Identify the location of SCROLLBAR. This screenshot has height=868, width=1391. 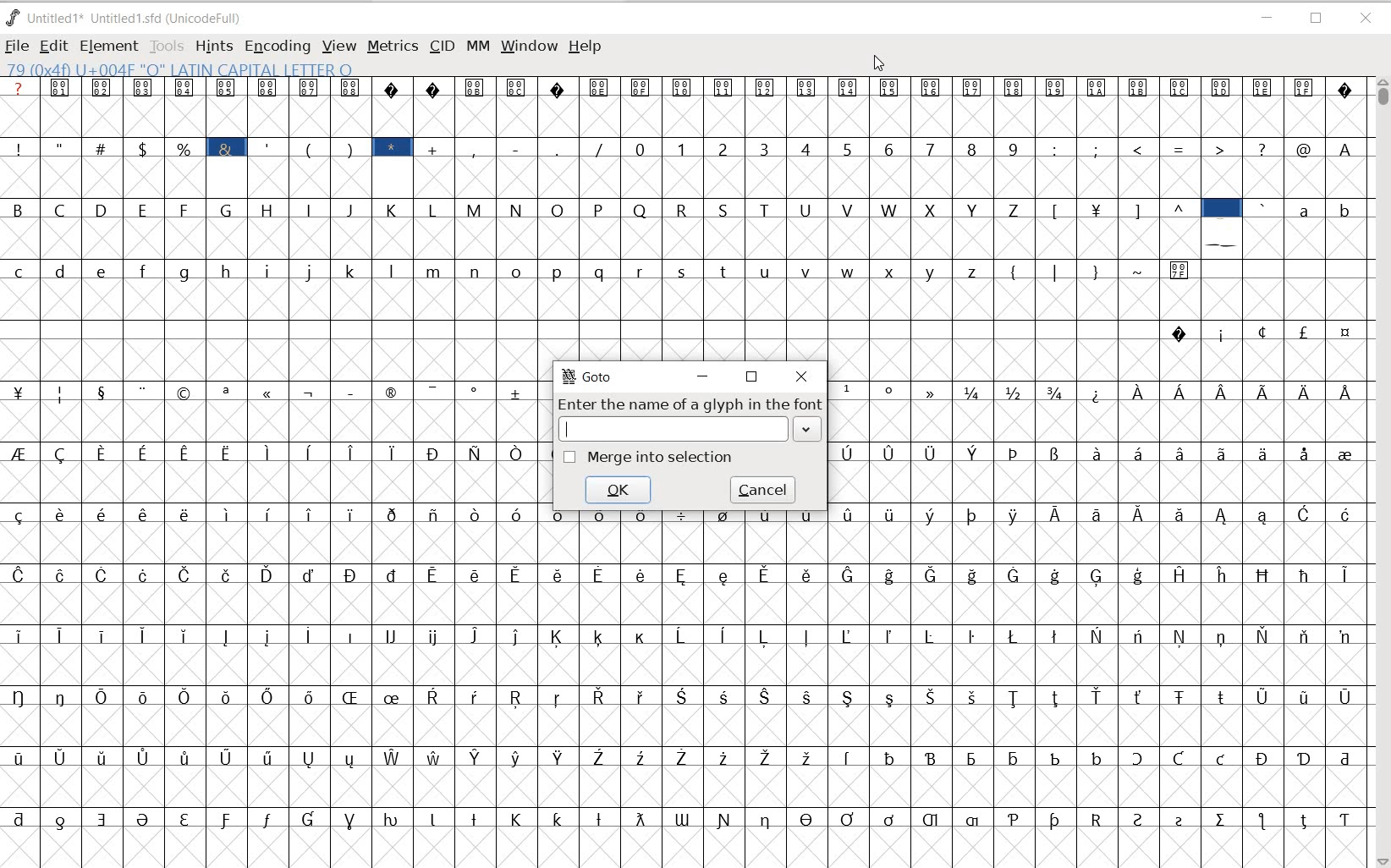
(1381, 472).